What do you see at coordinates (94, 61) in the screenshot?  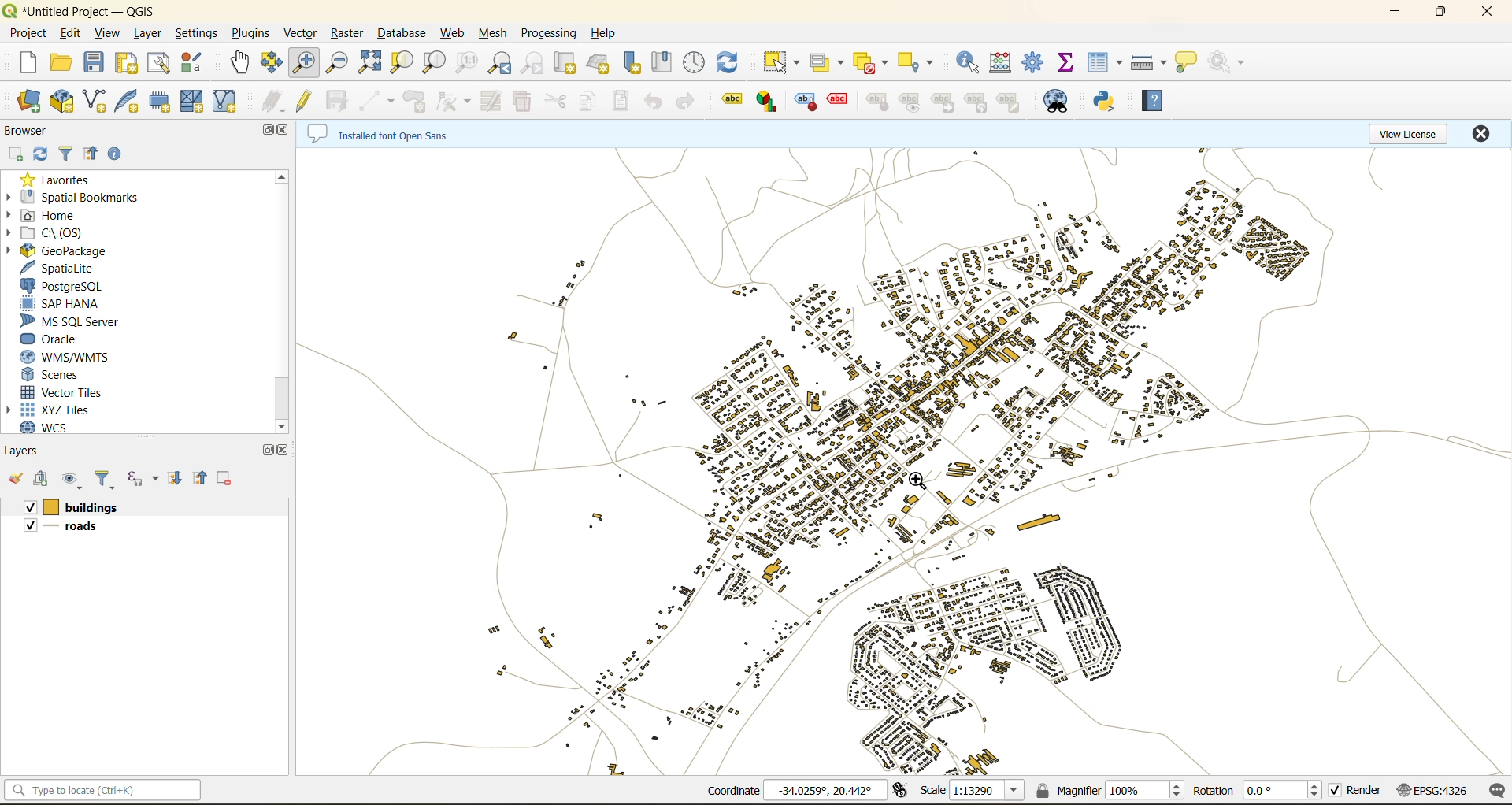 I see `save` at bounding box center [94, 61].